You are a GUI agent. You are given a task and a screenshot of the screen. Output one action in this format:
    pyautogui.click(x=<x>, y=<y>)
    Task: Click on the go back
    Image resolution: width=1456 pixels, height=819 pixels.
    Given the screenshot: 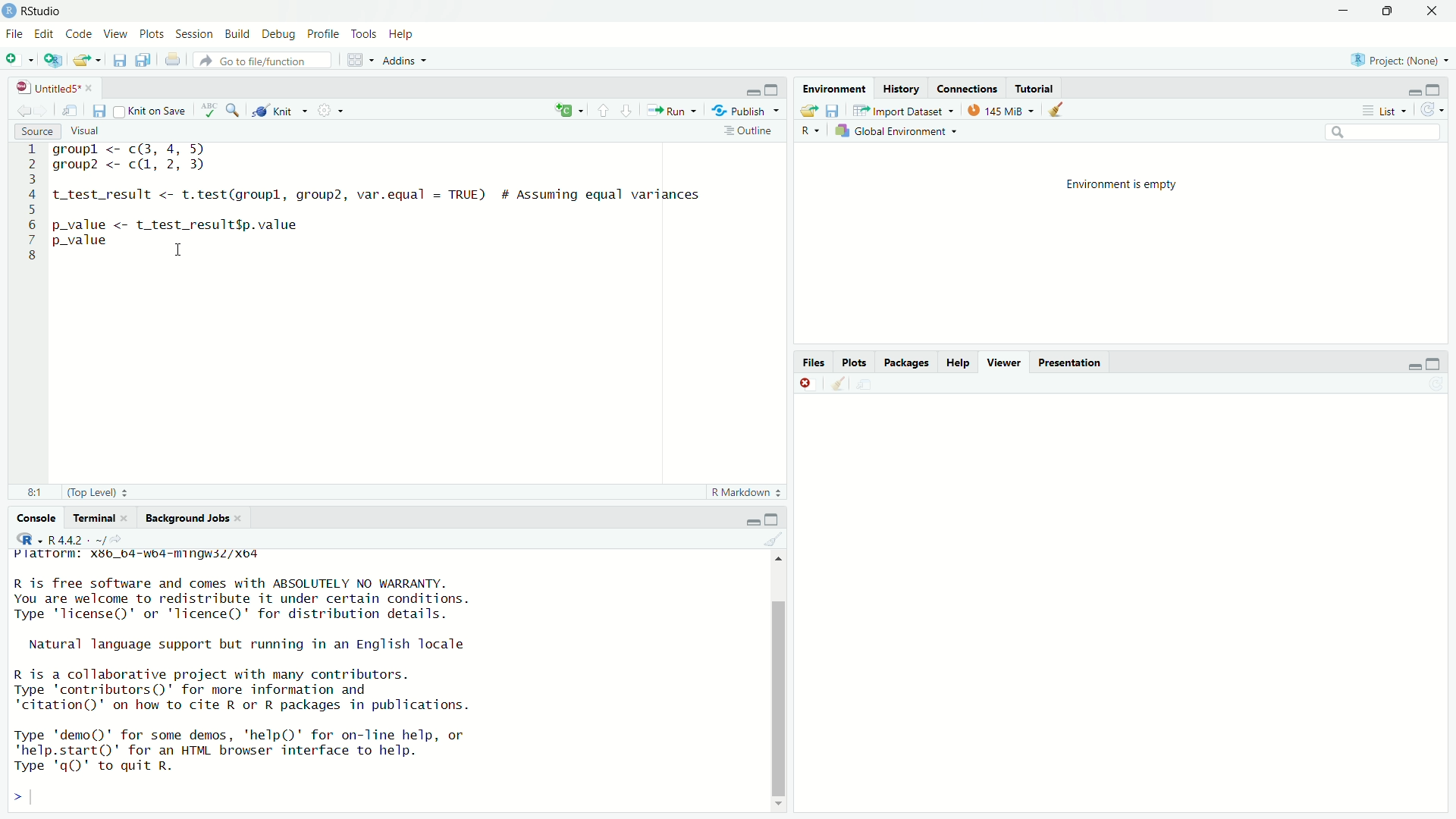 What is the action you would take?
    pyautogui.click(x=30, y=108)
    